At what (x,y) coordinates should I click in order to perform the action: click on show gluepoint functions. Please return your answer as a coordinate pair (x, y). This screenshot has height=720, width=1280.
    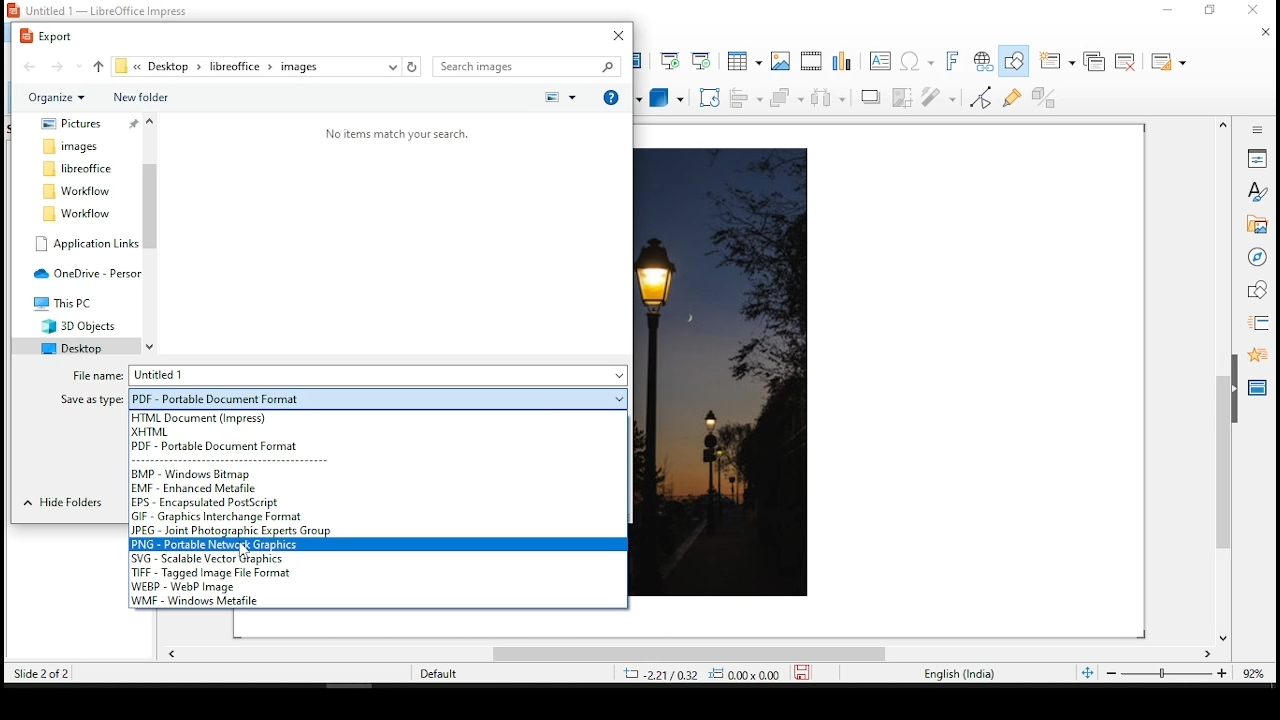
    Looking at the image, I should click on (1014, 98).